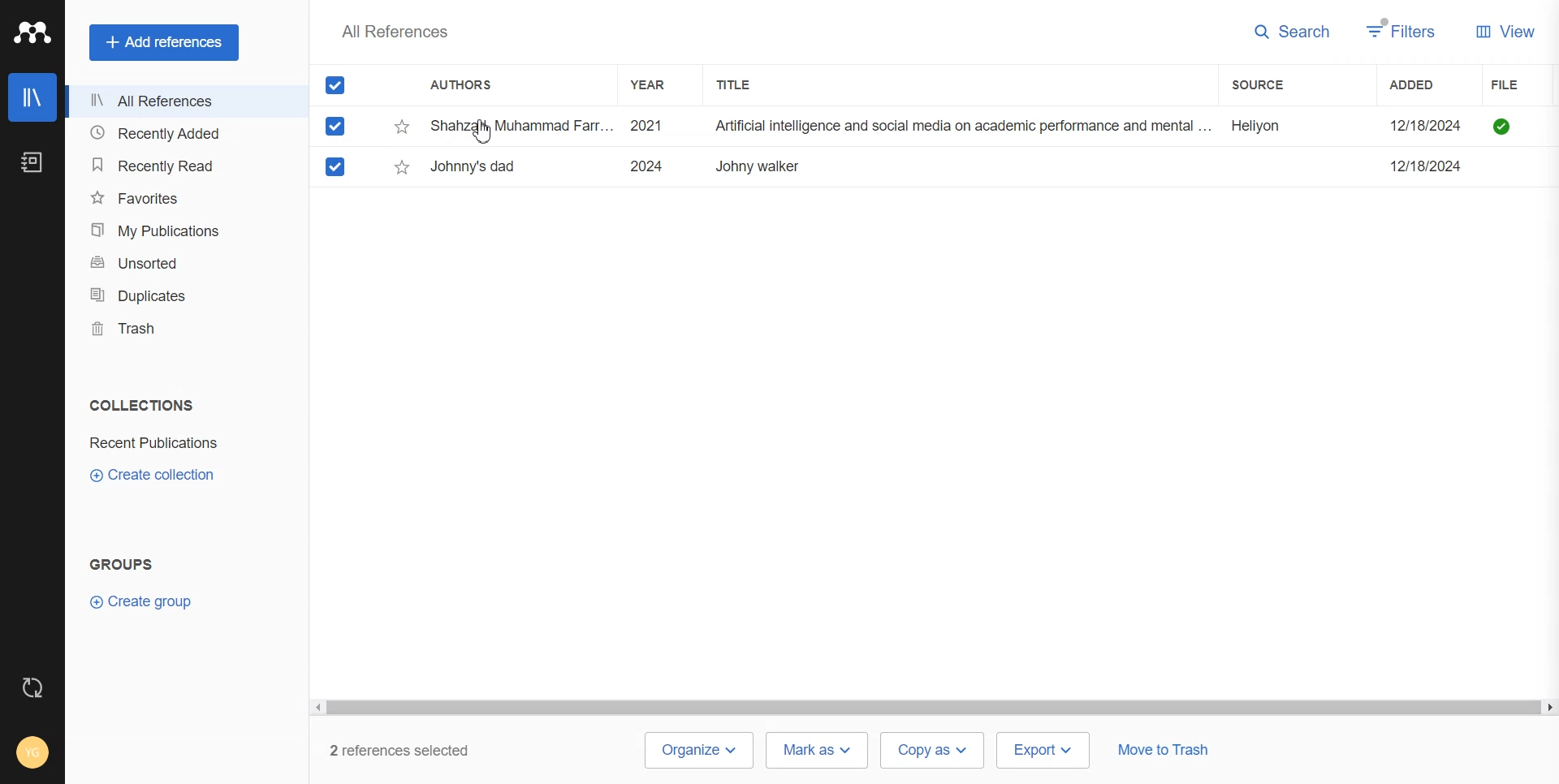 The height and width of the screenshot is (784, 1559). Describe the element at coordinates (1502, 127) in the screenshot. I see `file available` at that location.